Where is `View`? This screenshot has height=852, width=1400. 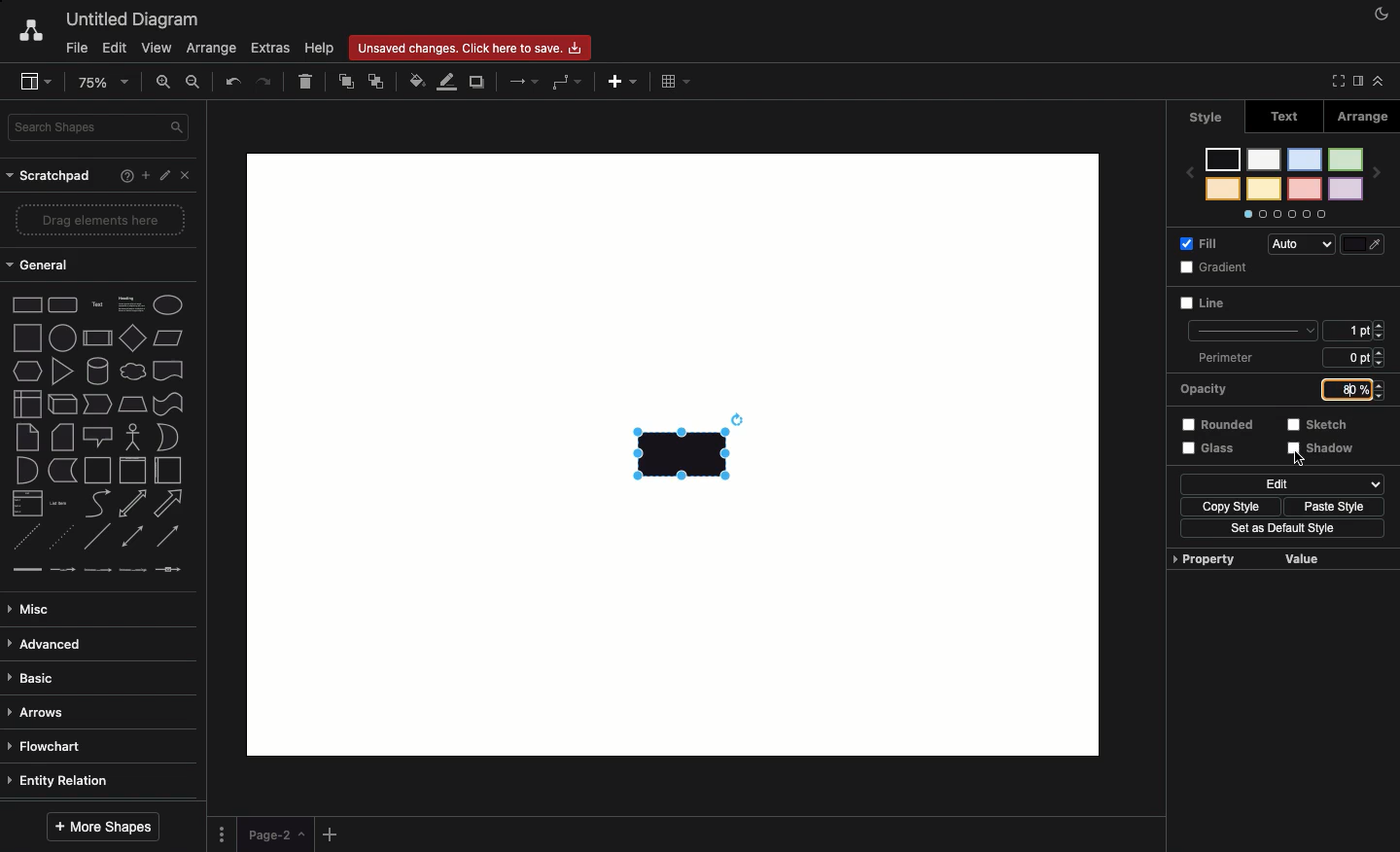
View is located at coordinates (158, 48).